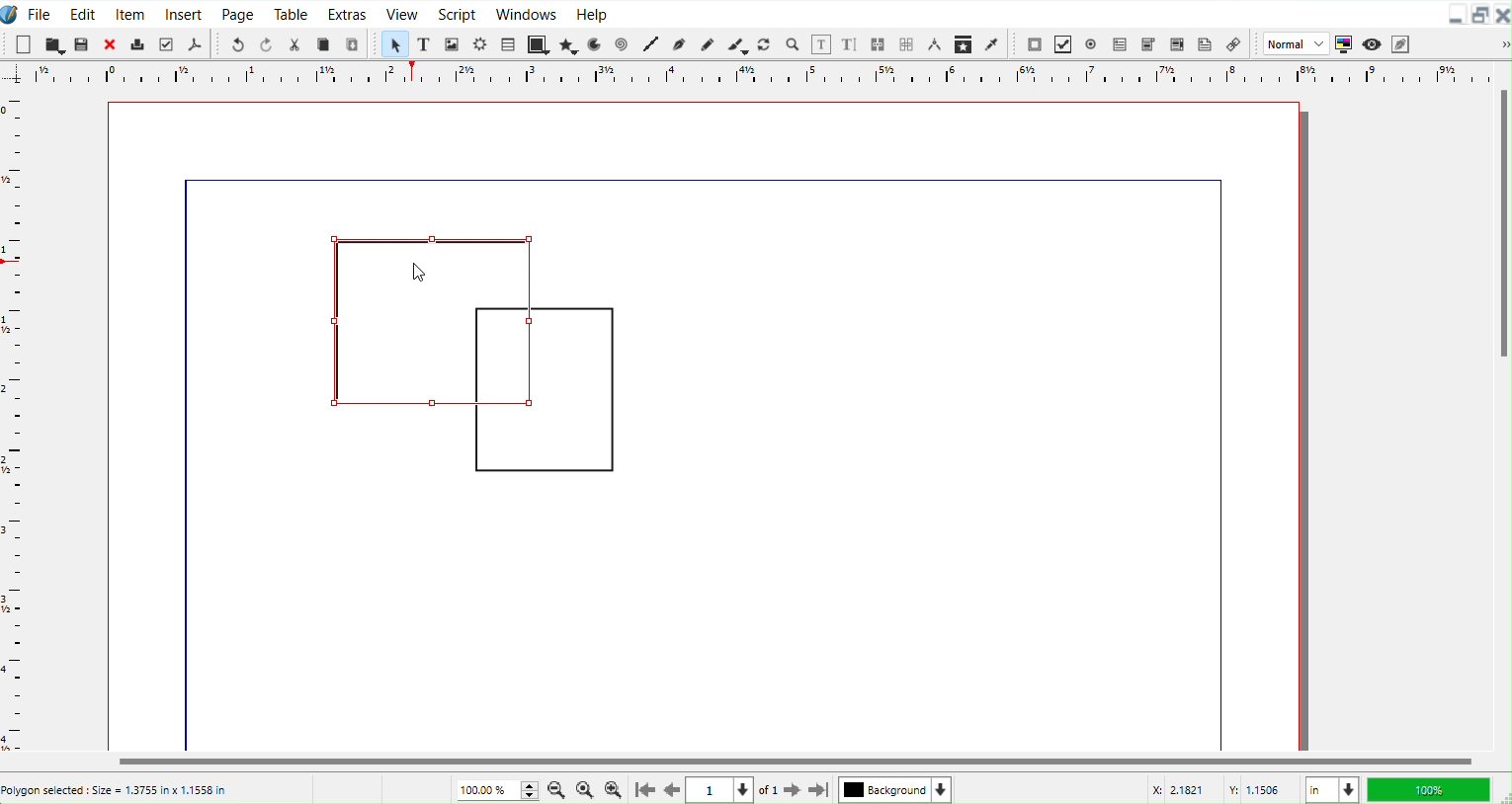 The height and width of the screenshot is (804, 1512). Describe the element at coordinates (55, 43) in the screenshot. I see `Open` at that location.